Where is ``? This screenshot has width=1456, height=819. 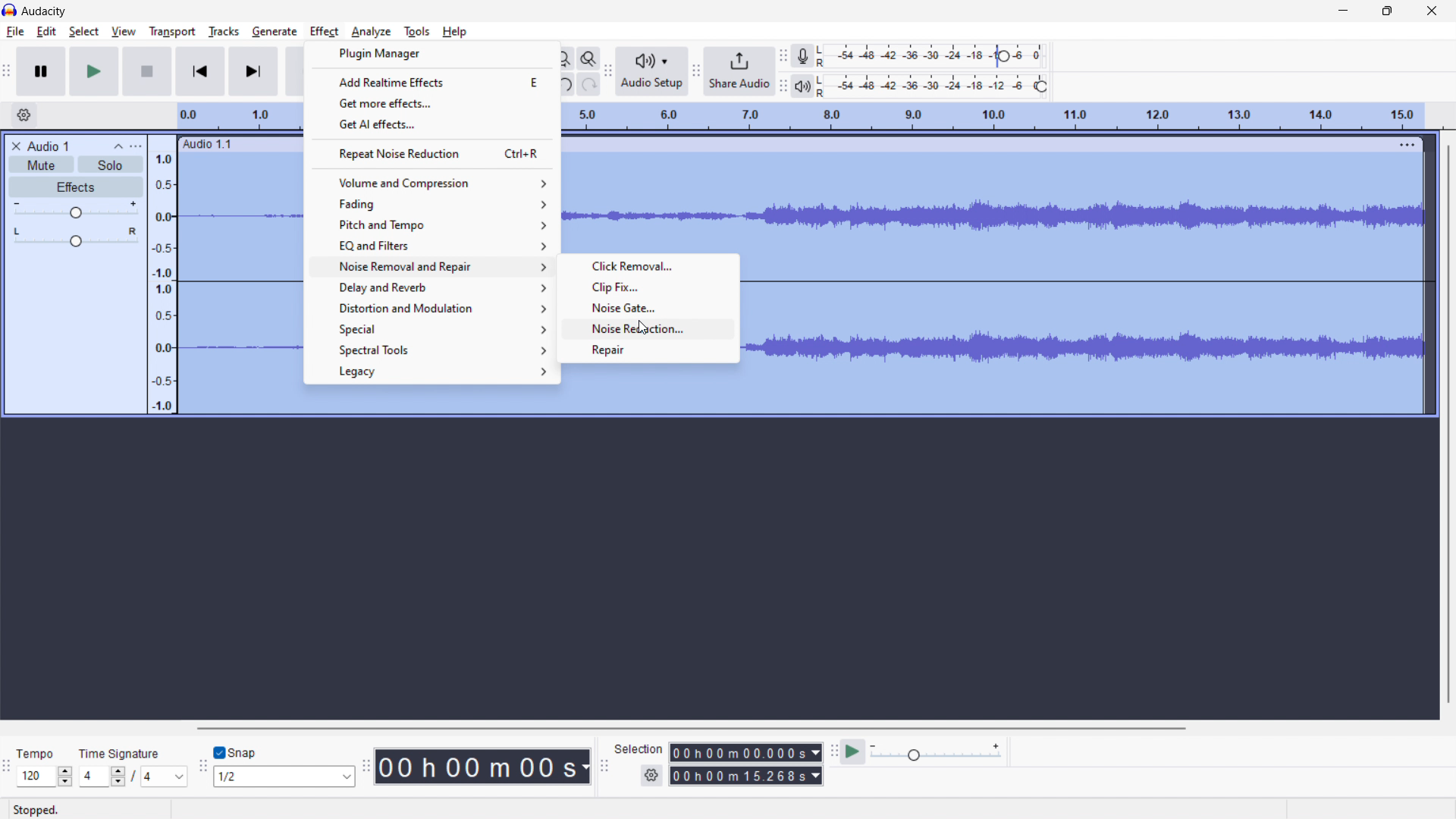
 is located at coordinates (648, 329).